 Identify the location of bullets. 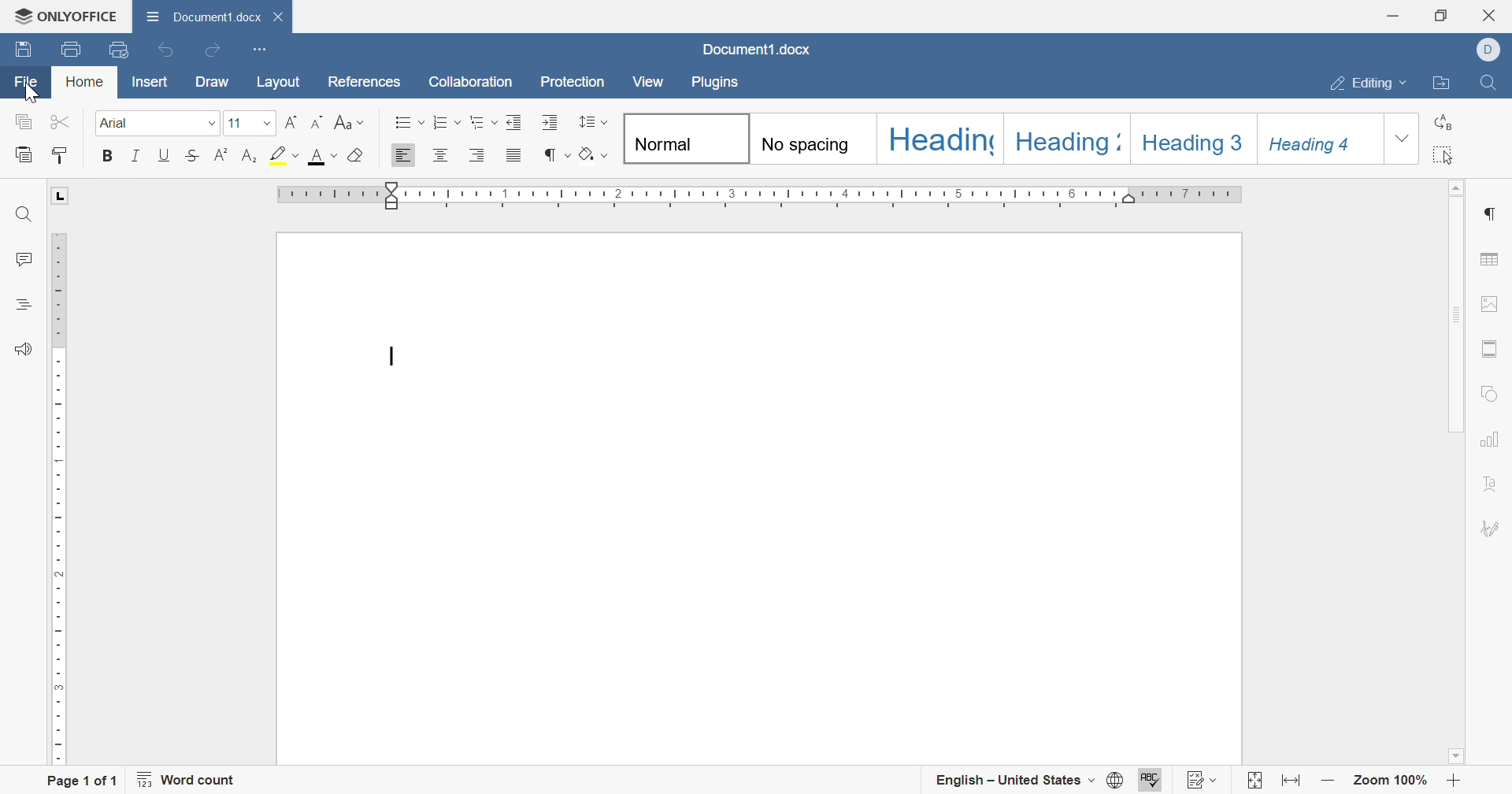
(409, 121).